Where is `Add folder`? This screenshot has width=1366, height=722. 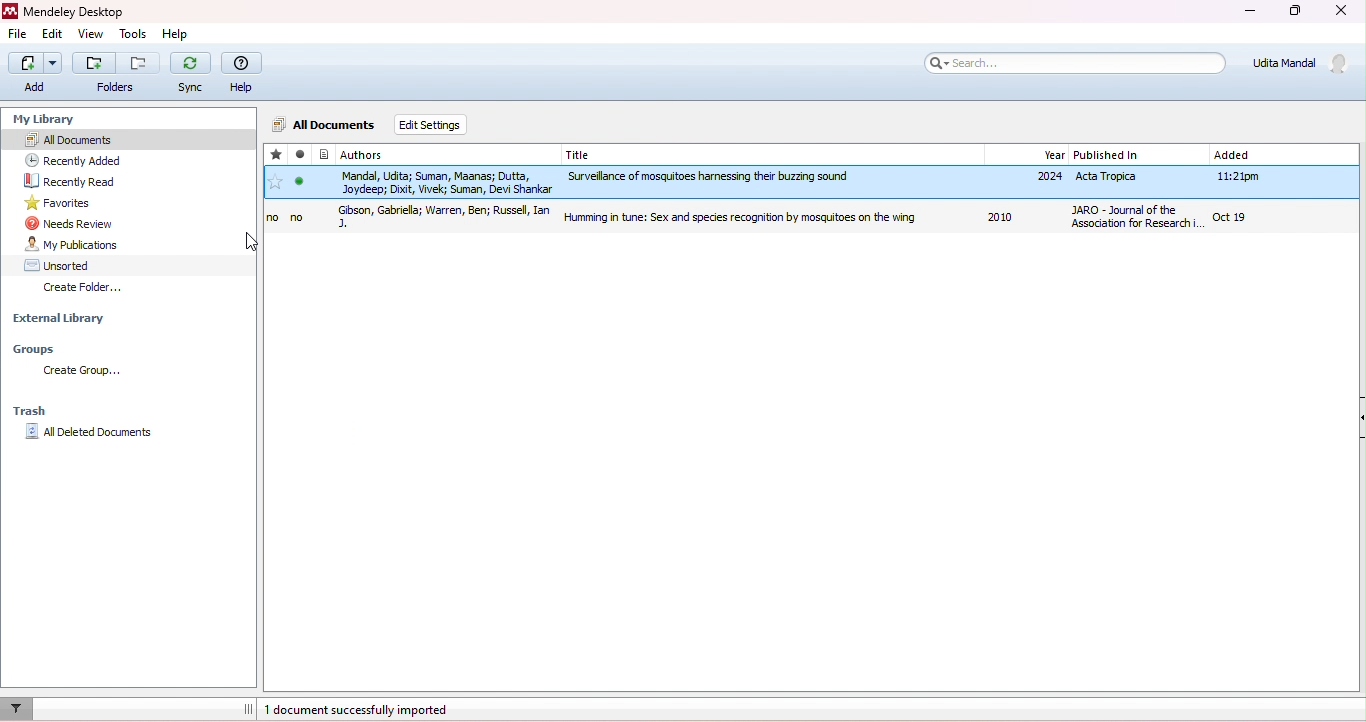 Add folder is located at coordinates (94, 63).